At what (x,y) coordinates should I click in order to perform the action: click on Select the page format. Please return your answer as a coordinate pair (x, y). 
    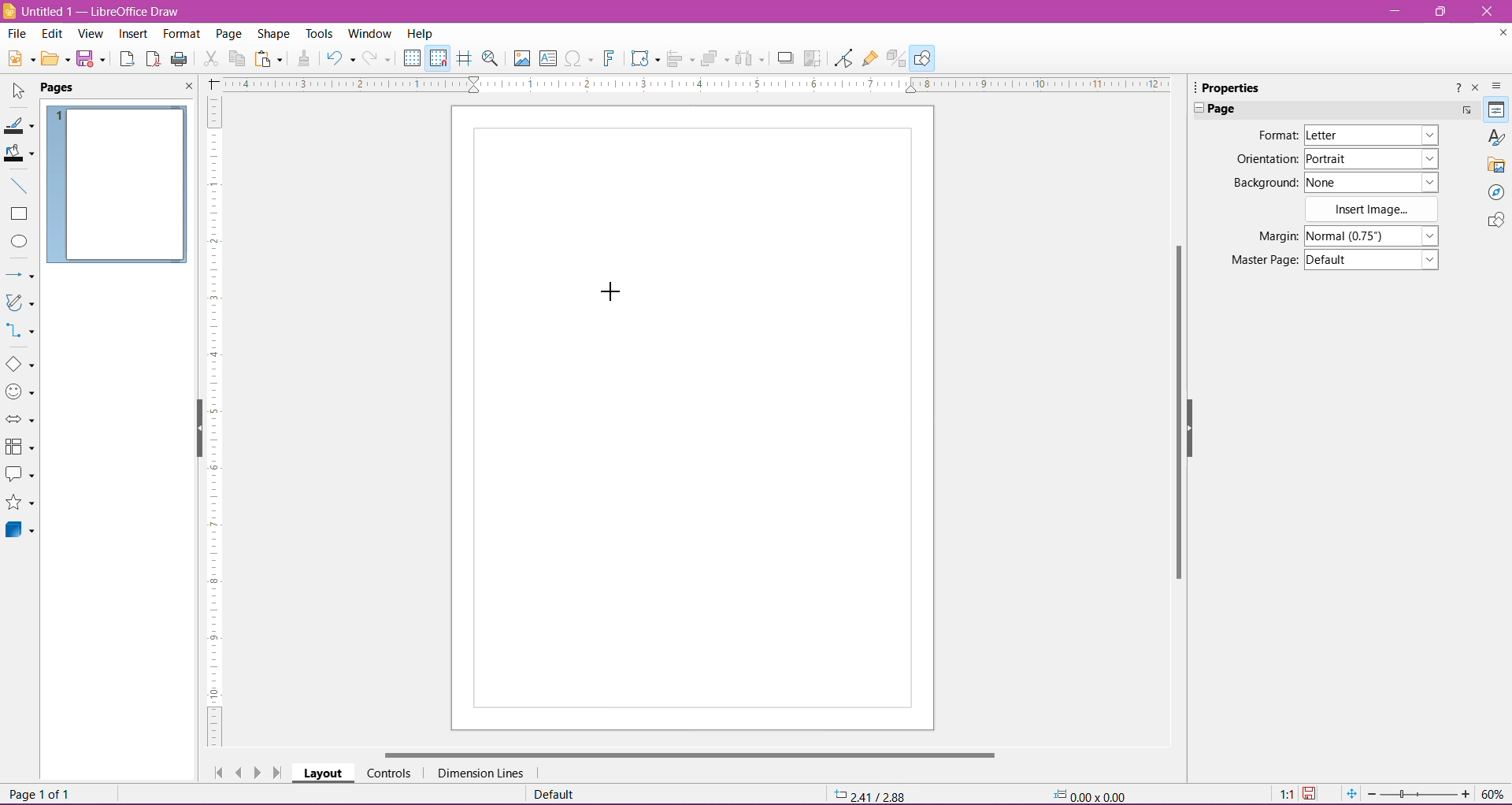
    Looking at the image, I should click on (1371, 137).